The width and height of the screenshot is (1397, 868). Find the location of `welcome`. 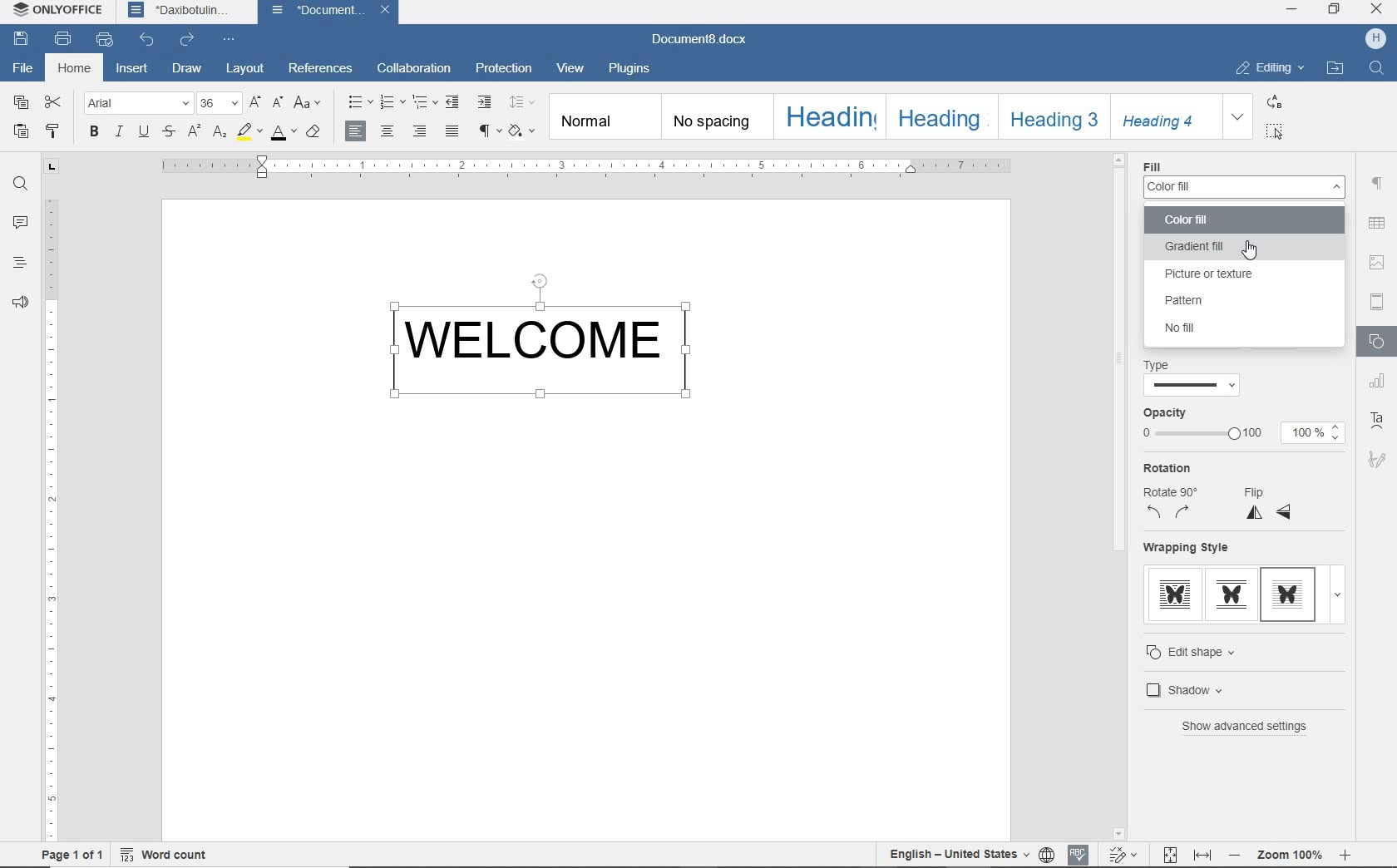

welcome is located at coordinates (549, 343).